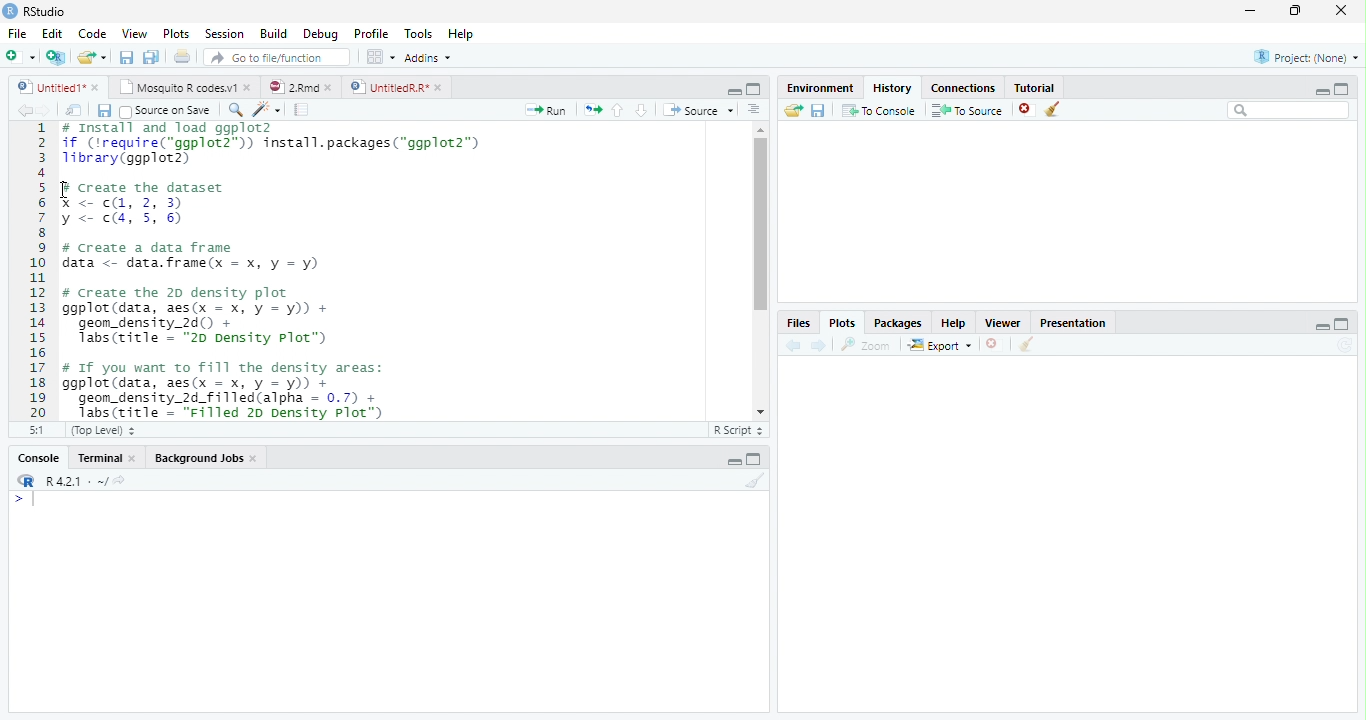 The image size is (1366, 720). I want to click on Terminal, so click(99, 458).